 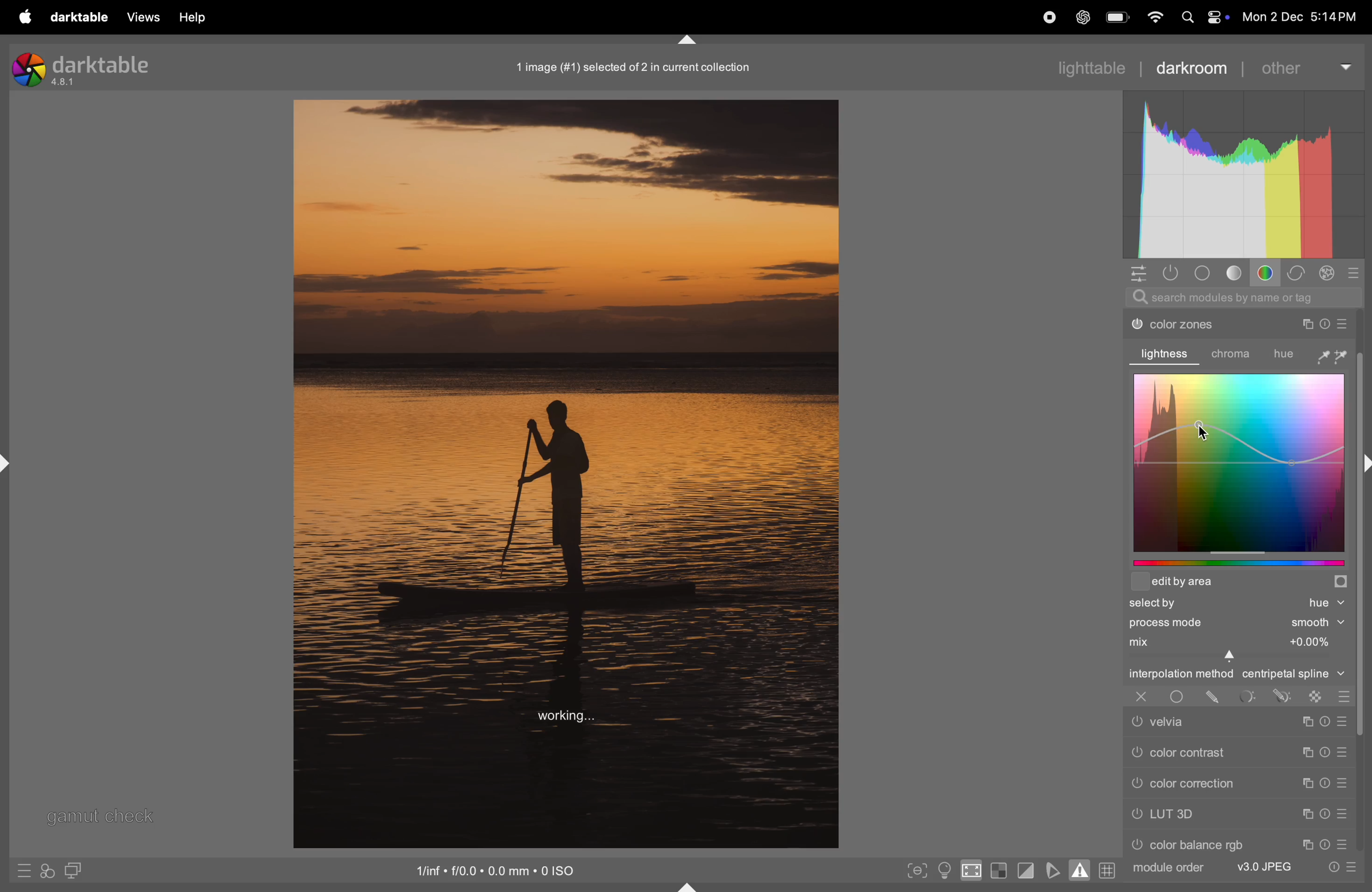 I want to click on preset, so click(x=1343, y=322).